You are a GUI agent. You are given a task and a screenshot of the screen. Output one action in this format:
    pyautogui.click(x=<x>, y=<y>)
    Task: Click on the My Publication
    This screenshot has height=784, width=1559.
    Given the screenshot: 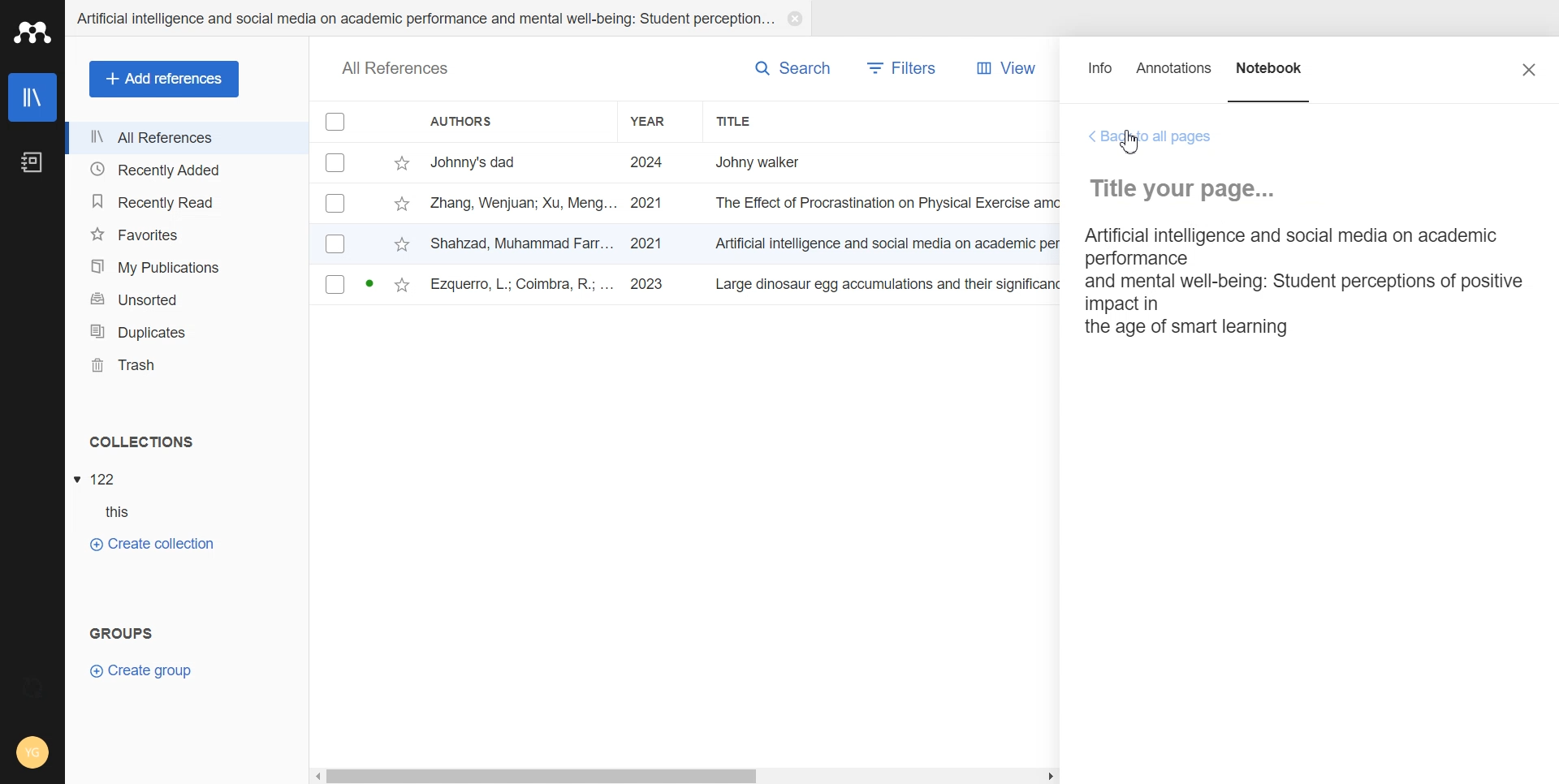 What is the action you would take?
    pyautogui.click(x=187, y=267)
    